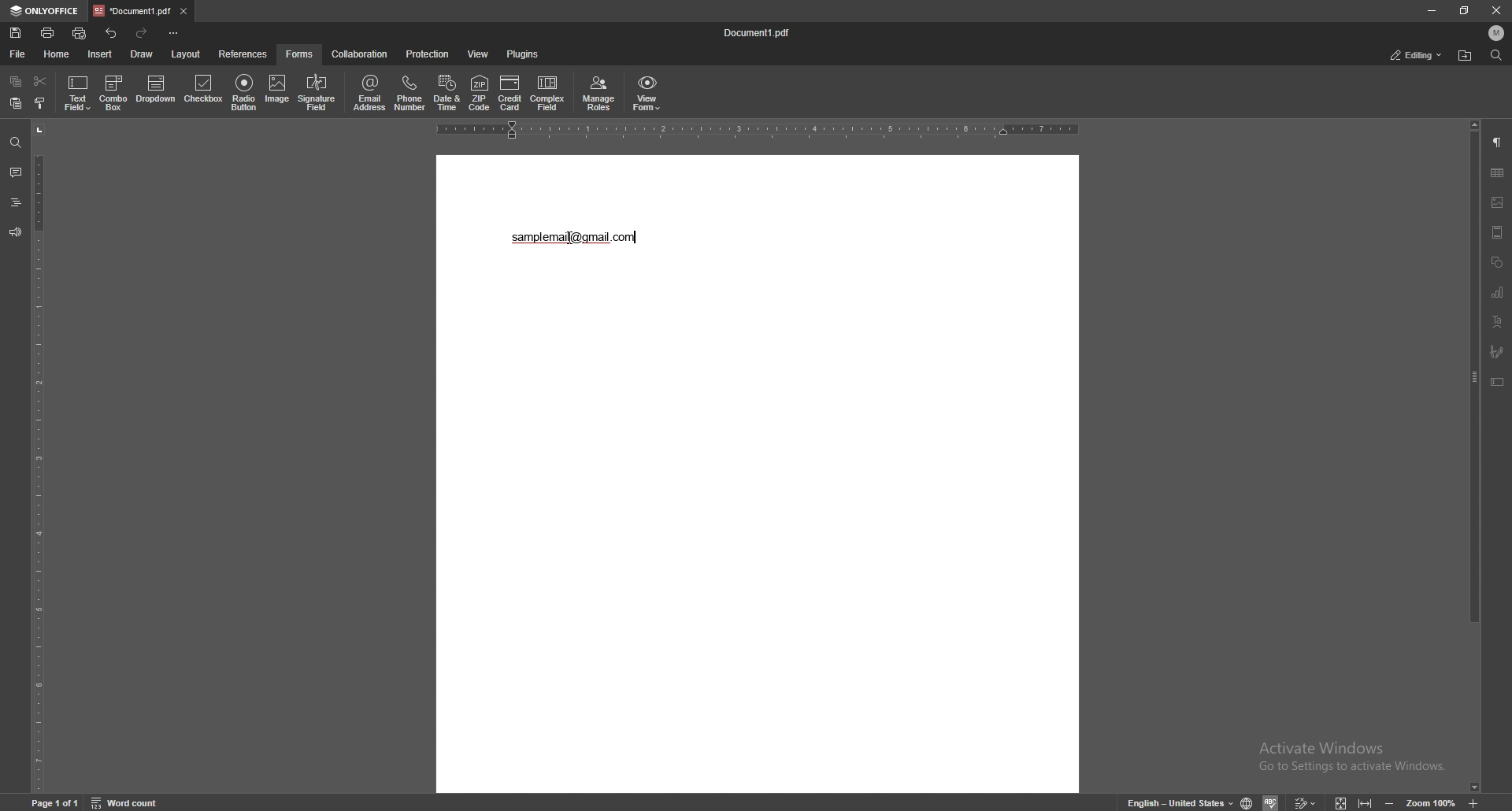  I want to click on phone number, so click(410, 93).